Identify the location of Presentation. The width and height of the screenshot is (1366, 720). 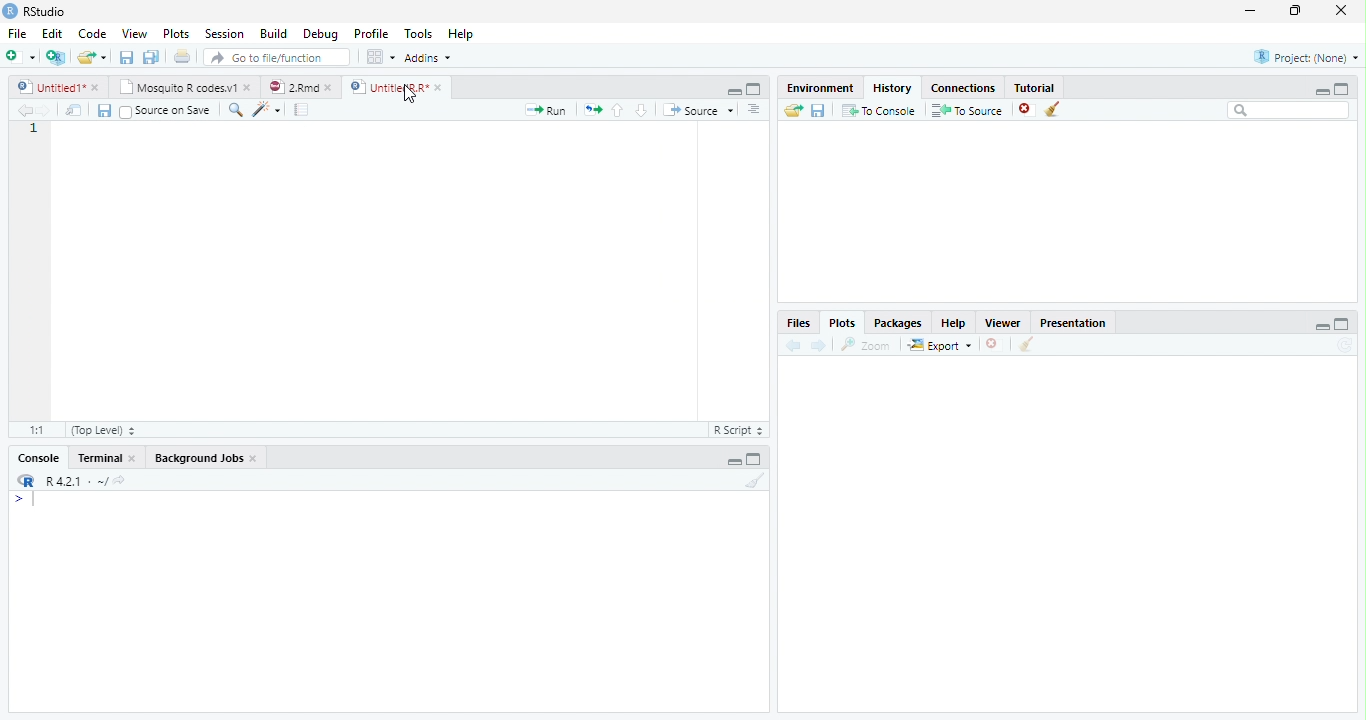
(1072, 323).